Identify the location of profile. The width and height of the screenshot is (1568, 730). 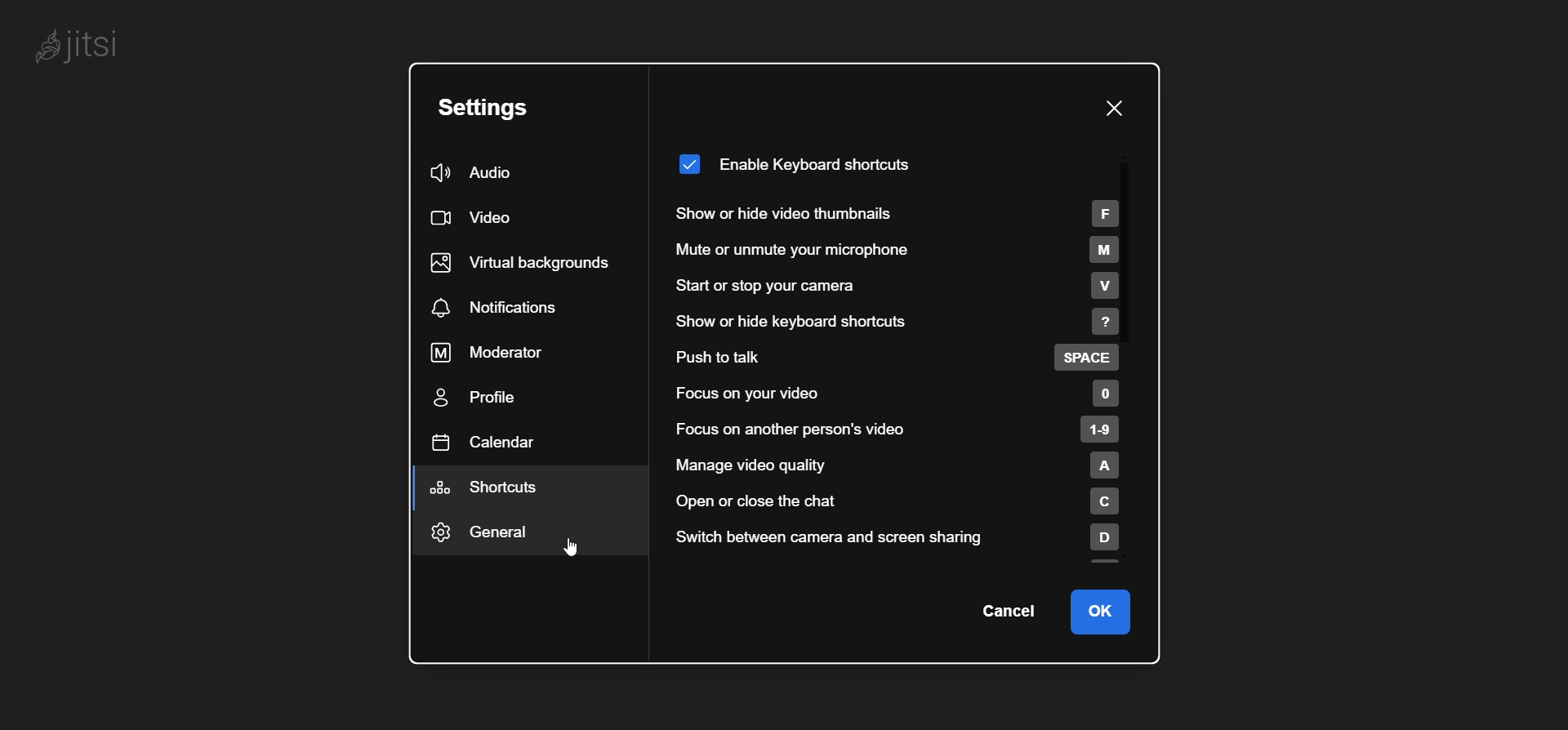
(480, 400).